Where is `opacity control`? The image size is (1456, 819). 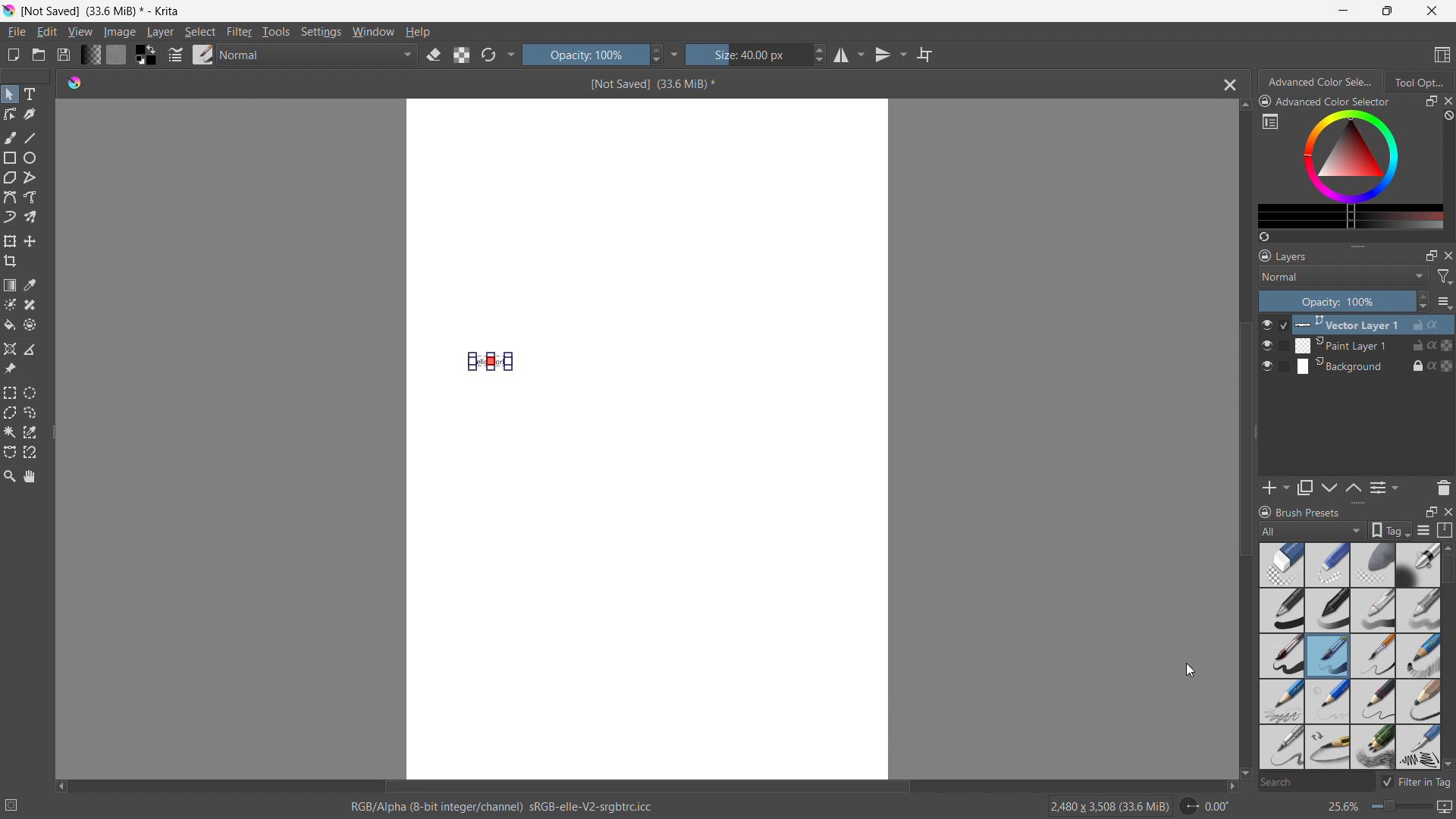
opacity control is located at coordinates (592, 54).